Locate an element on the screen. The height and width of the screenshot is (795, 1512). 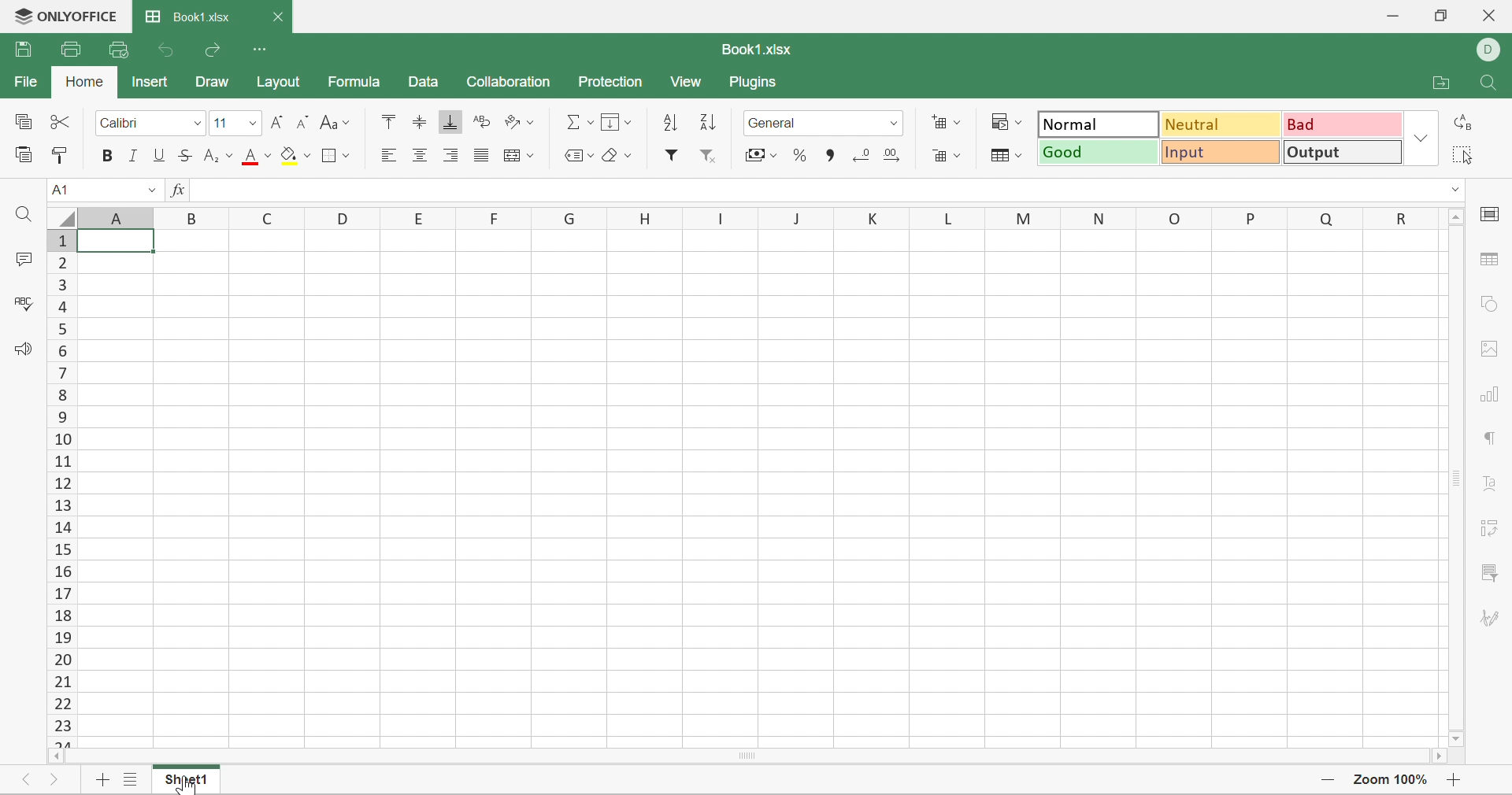
K is located at coordinates (865, 217).